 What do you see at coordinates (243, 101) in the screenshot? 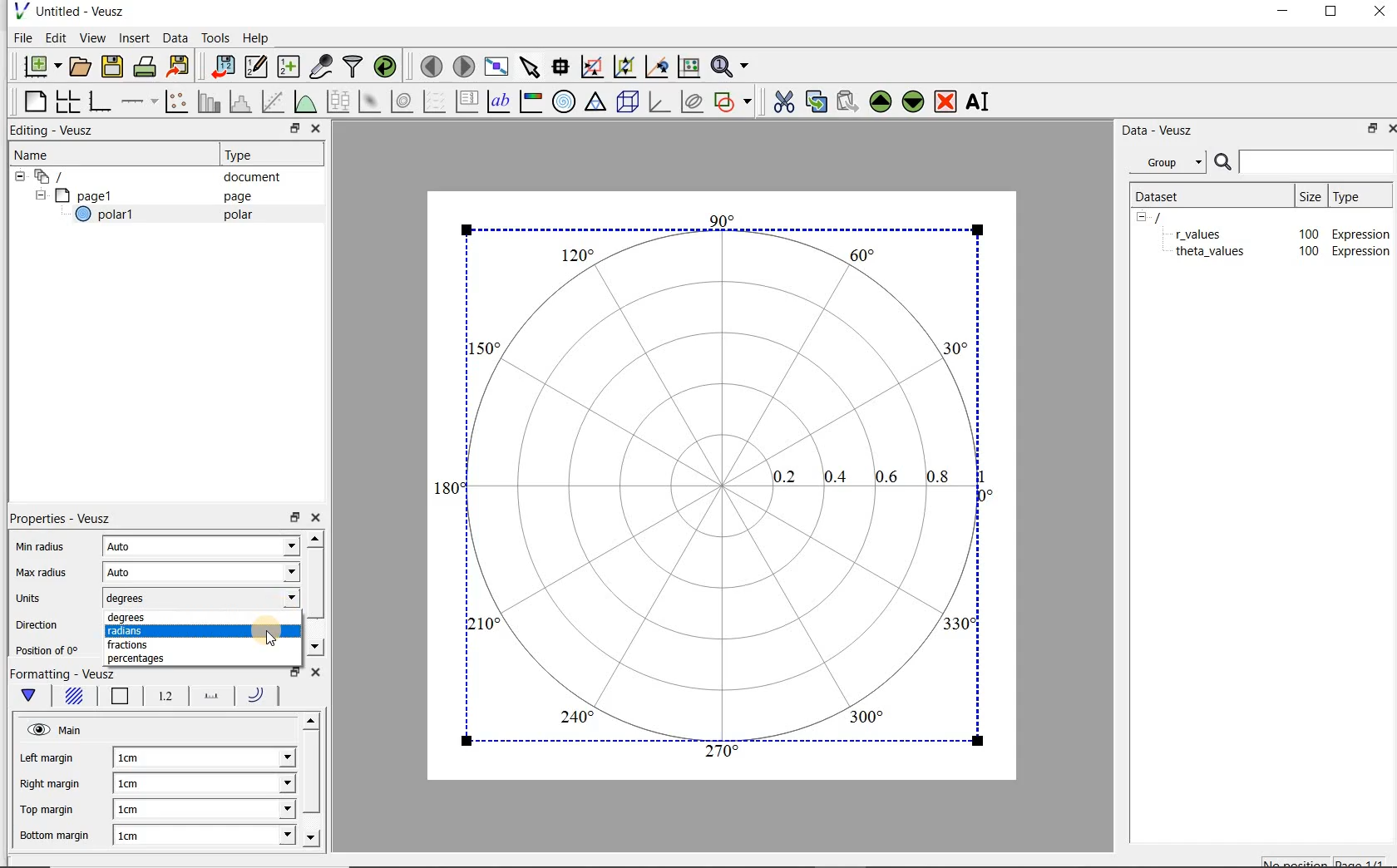
I see `histogram of a dataset` at bounding box center [243, 101].